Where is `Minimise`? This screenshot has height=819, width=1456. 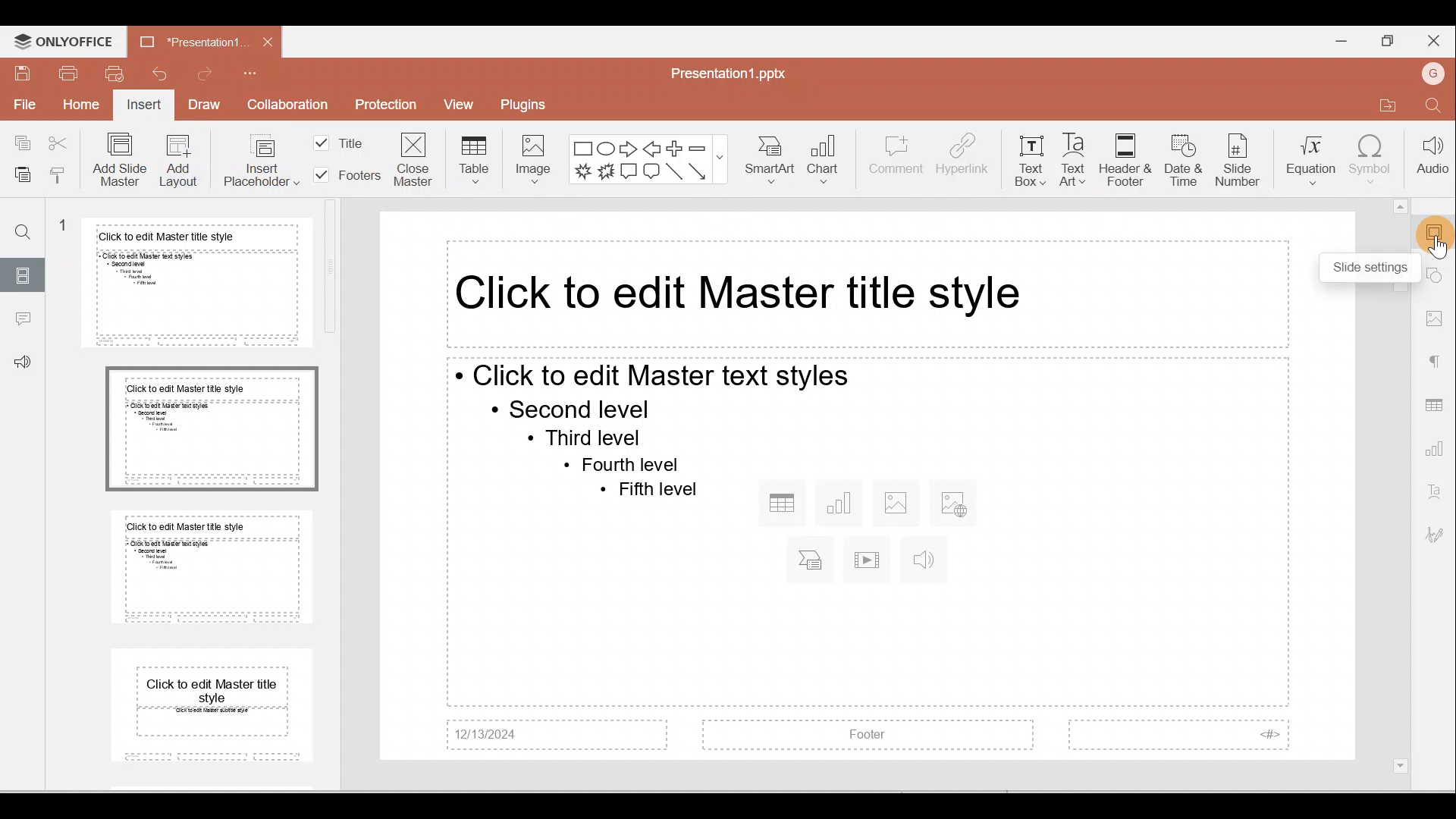 Minimise is located at coordinates (1336, 40).